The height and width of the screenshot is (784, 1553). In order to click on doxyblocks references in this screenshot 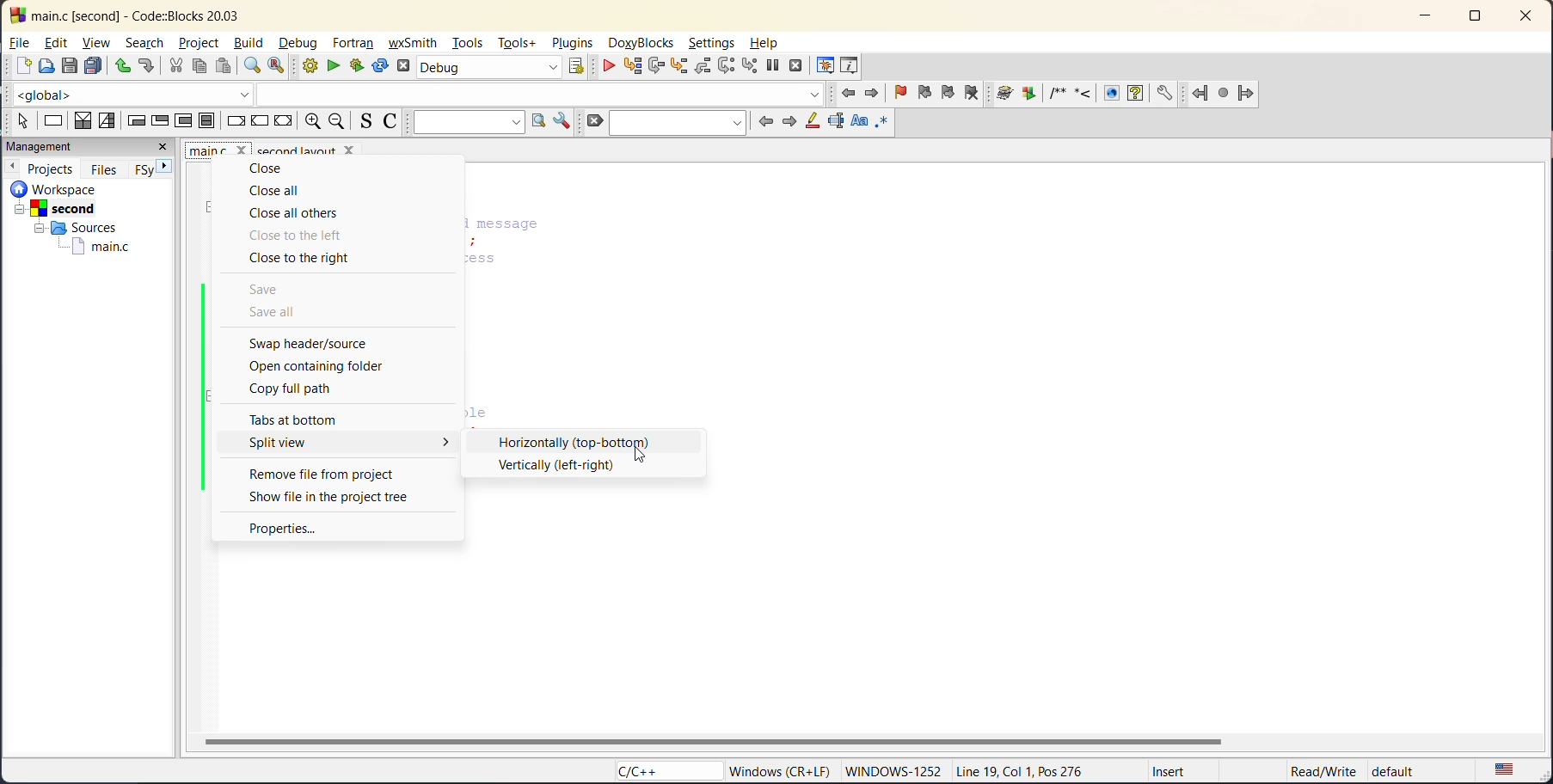, I will do `click(1091, 91)`.